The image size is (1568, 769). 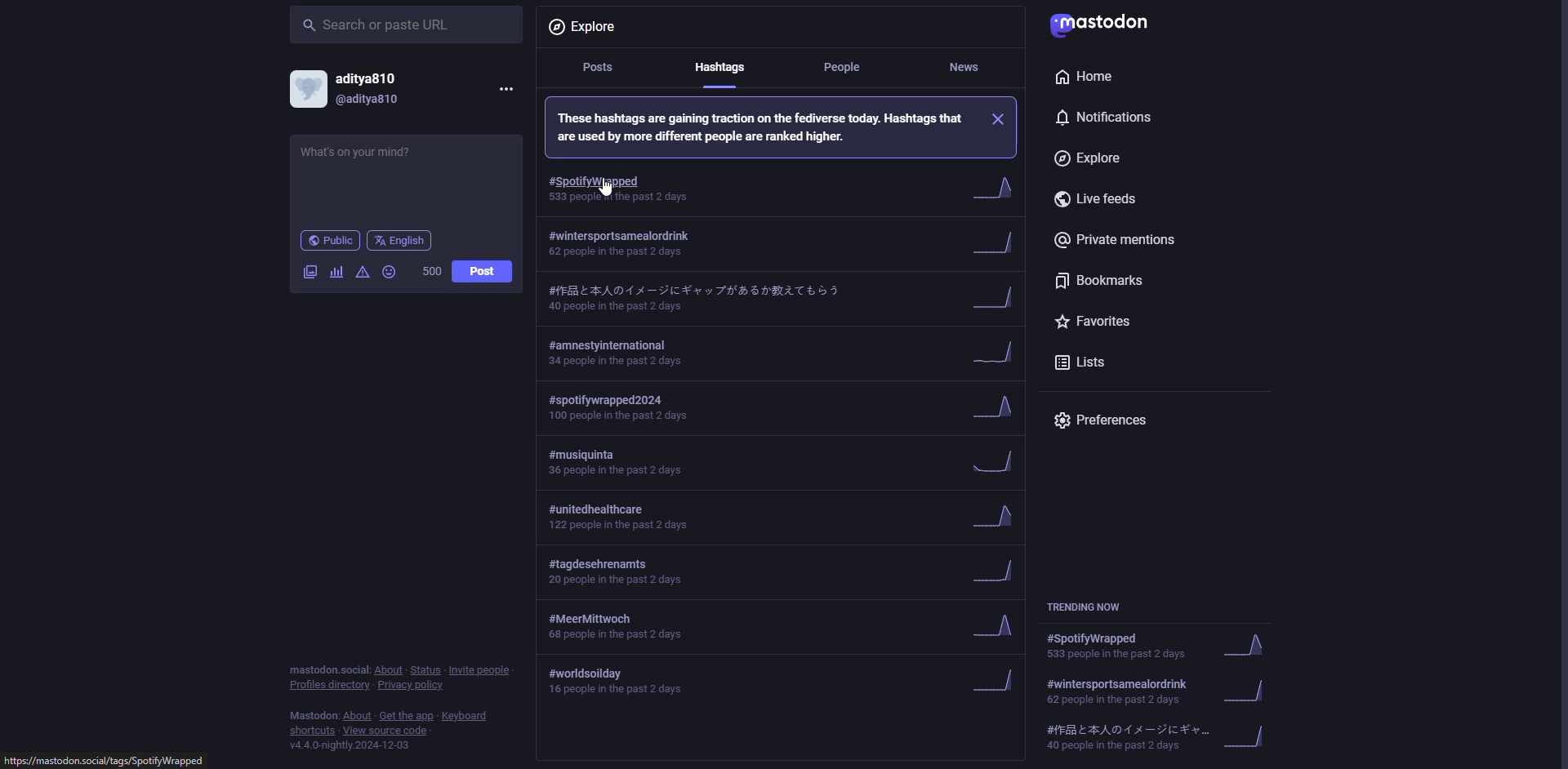 I want to click on trend, so click(x=987, y=518).